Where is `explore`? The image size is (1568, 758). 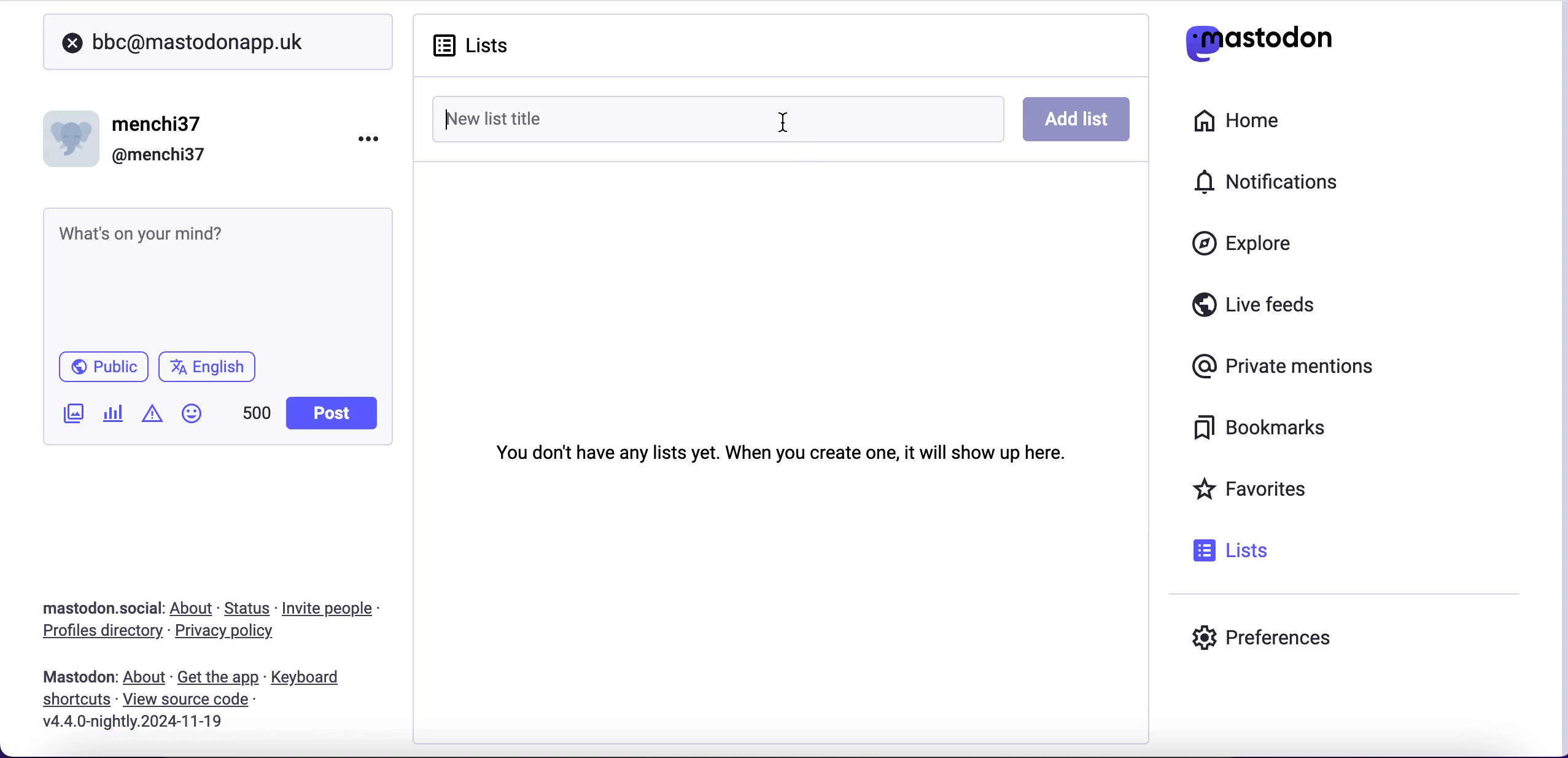 explore is located at coordinates (1254, 244).